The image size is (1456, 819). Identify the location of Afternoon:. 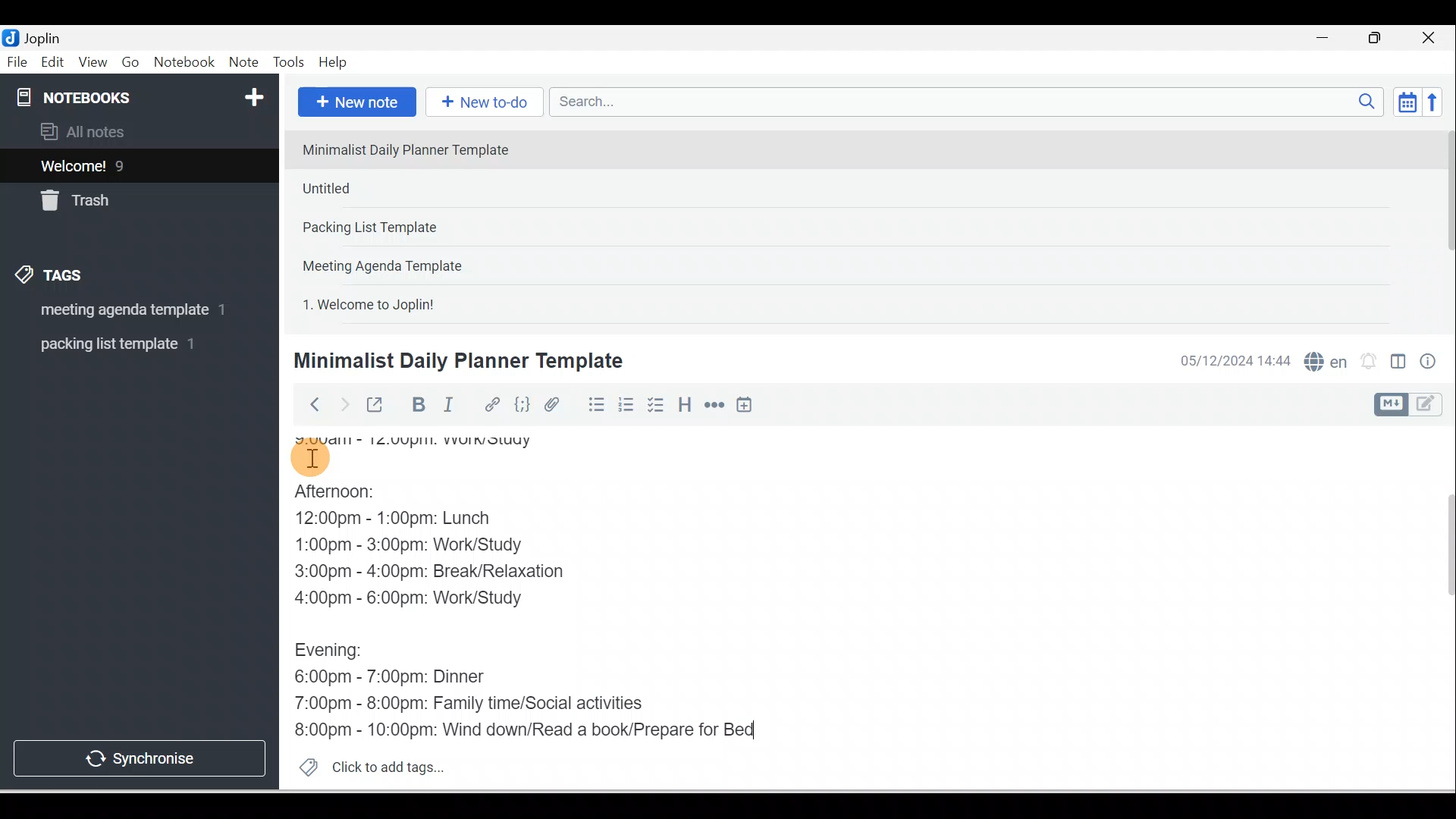
(351, 495).